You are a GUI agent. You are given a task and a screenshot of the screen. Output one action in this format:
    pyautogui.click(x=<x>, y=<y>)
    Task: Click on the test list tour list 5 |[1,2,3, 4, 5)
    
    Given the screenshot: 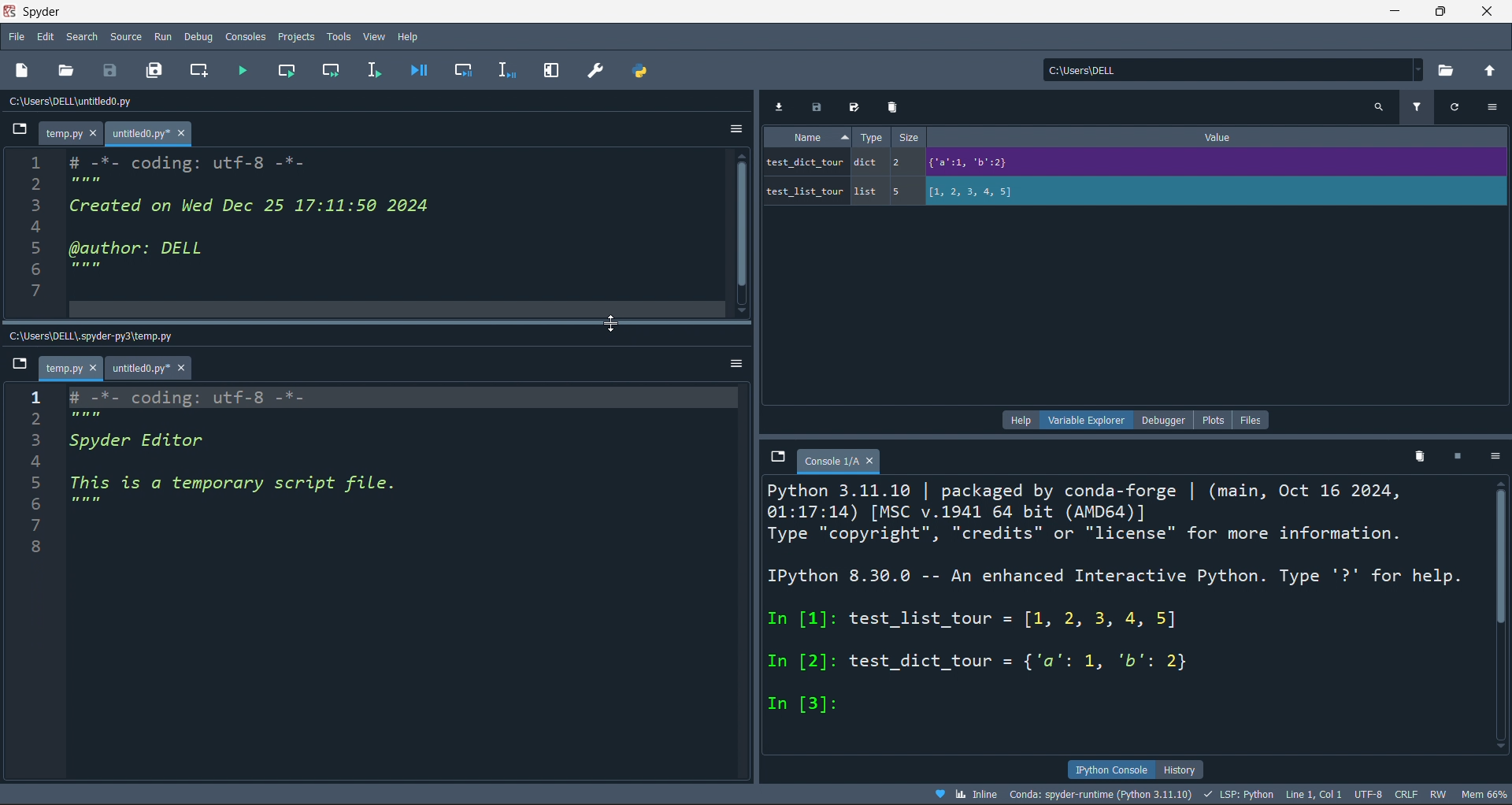 What is the action you would take?
    pyautogui.click(x=925, y=191)
    